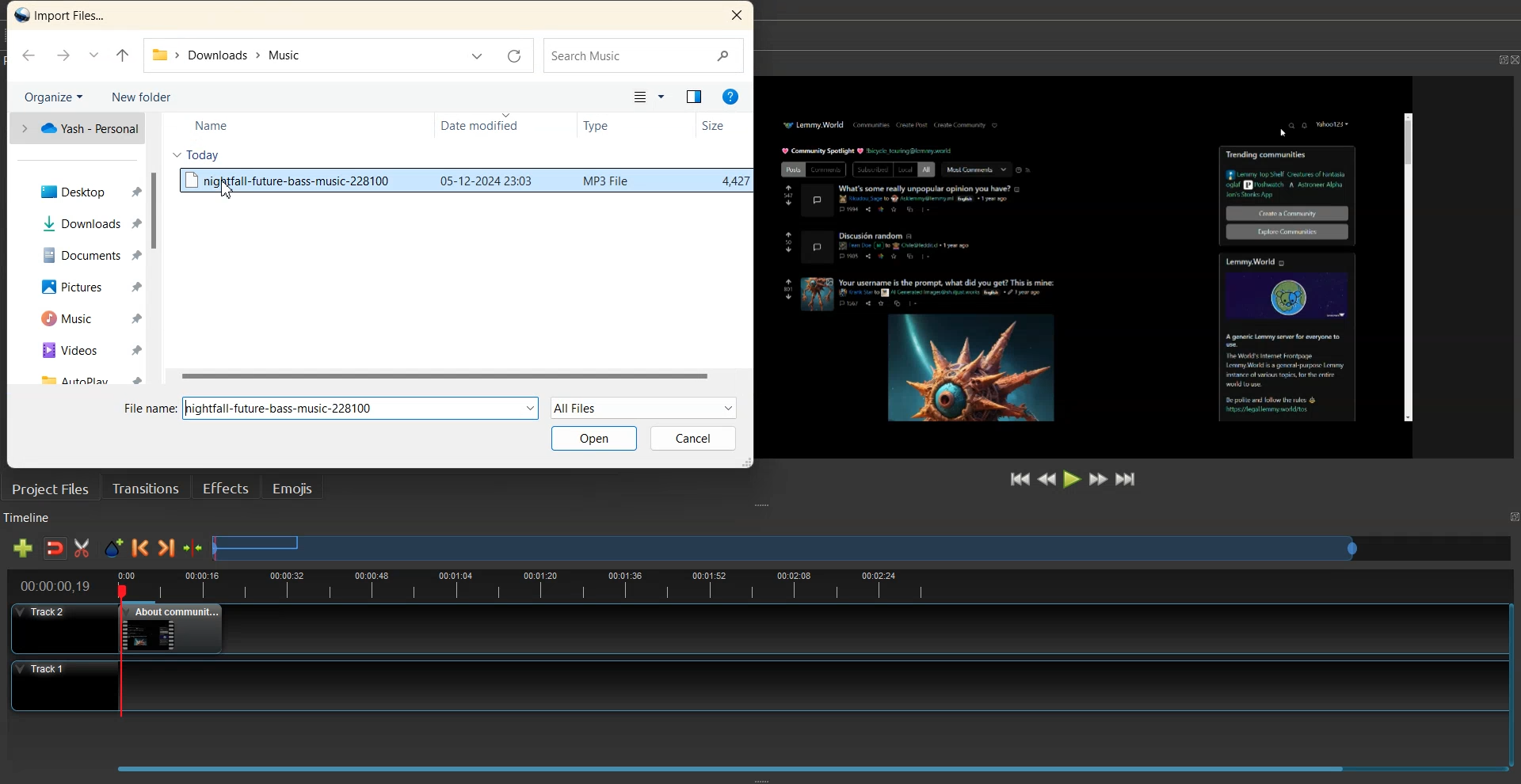  What do you see at coordinates (648, 97) in the screenshot?
I see `Change your view` at bounding box center [648, 97].